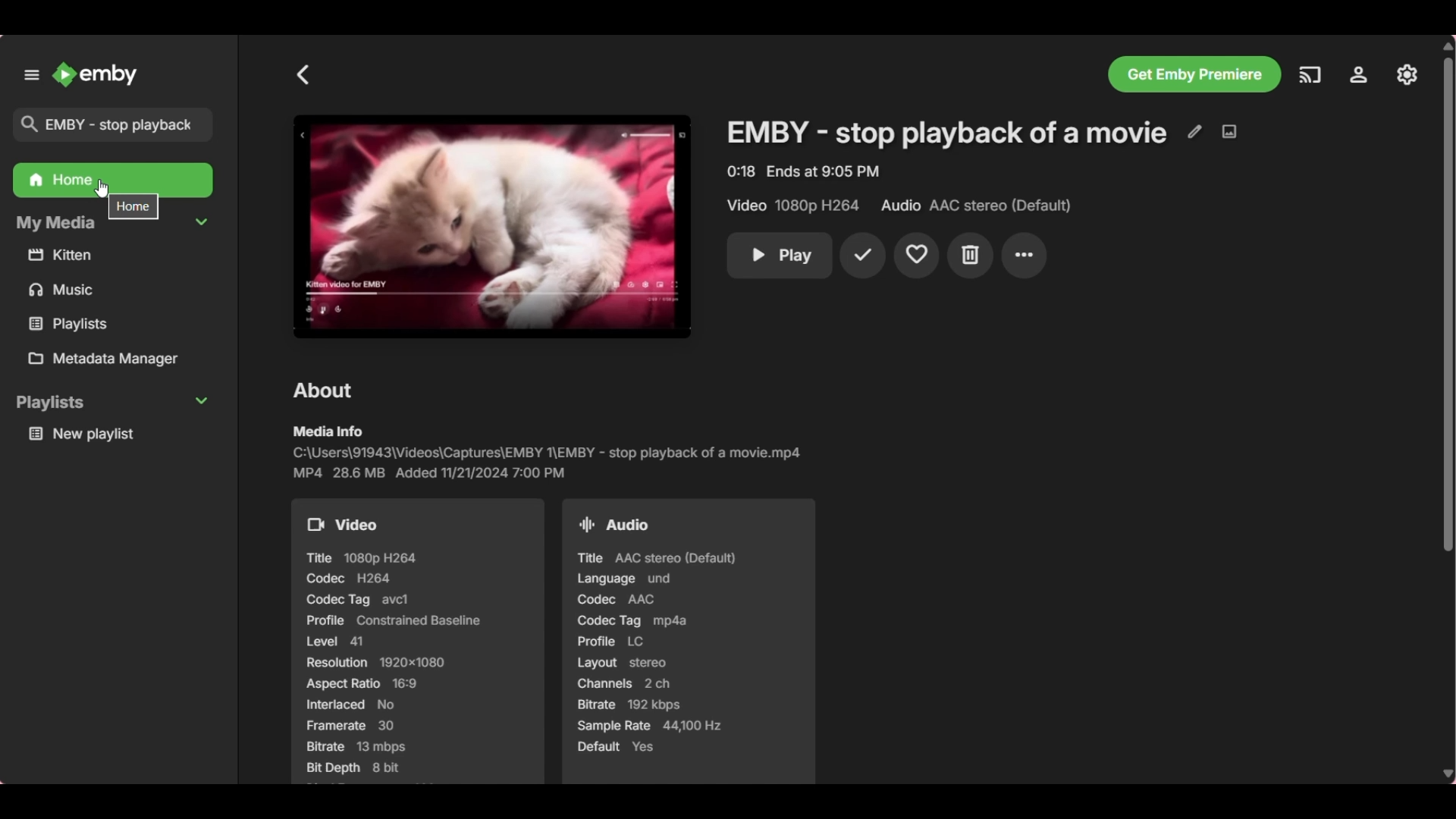 This screenshot has height=819, width=1456. I want to click on Video, so click(344, 523).